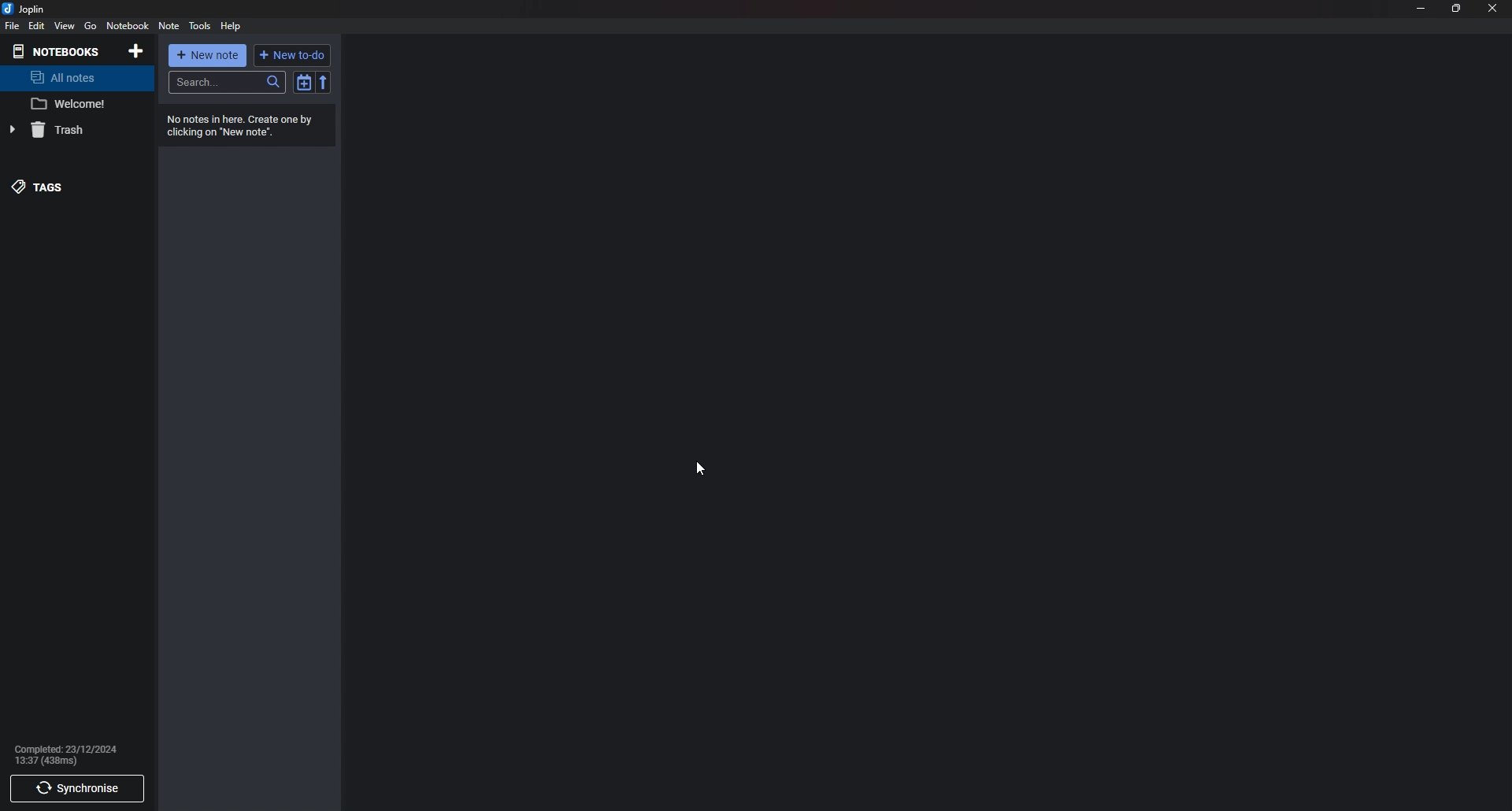 The width and height of the screenshot is (1512, 811). What do you see at coordinates (248, 126) in the screenshot?
I see `No notes in here. Create one by
clicking on "New note”.` at bounding box center [248, 126].